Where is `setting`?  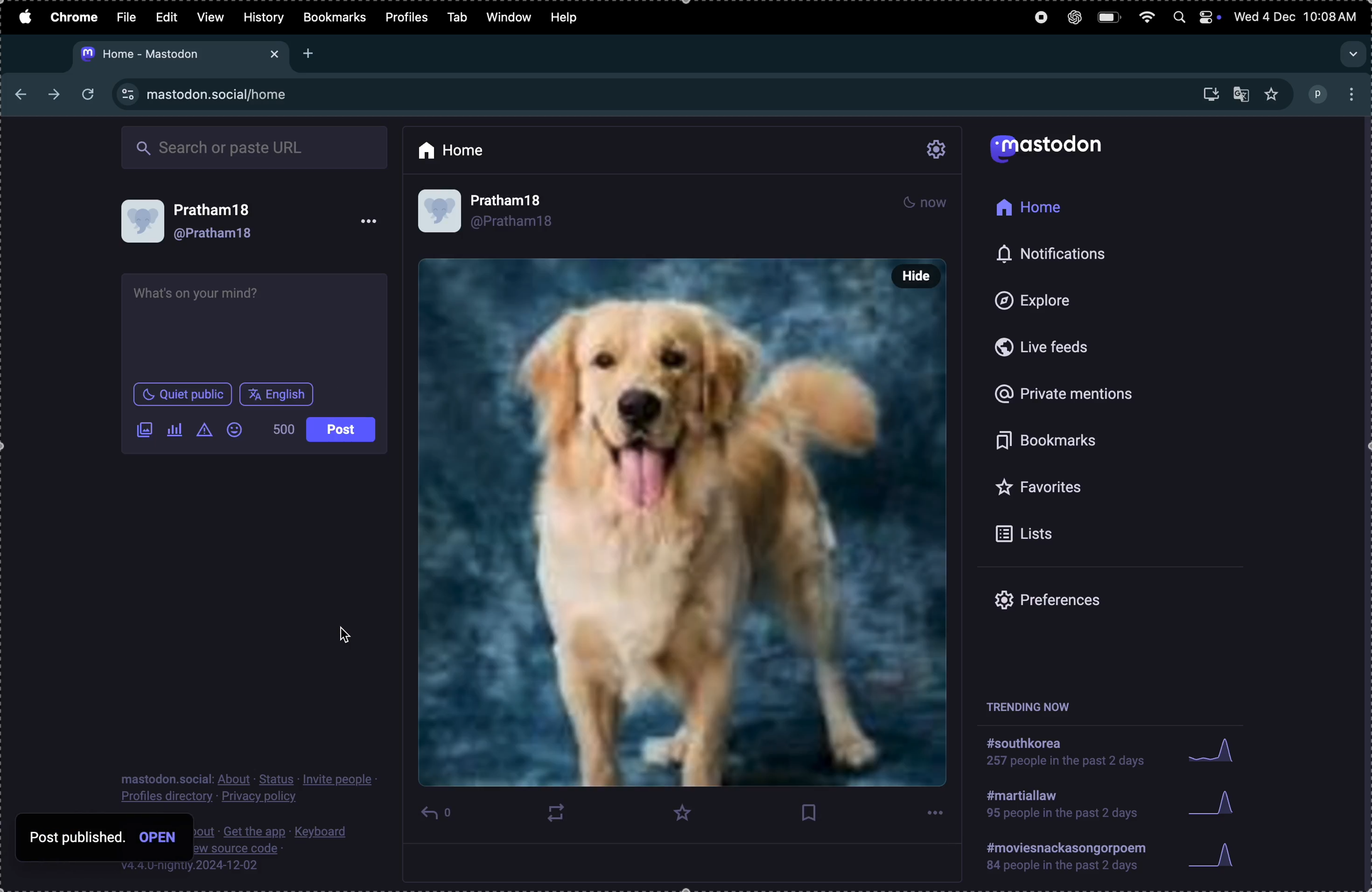
setting is located at coordinates (938, 150).